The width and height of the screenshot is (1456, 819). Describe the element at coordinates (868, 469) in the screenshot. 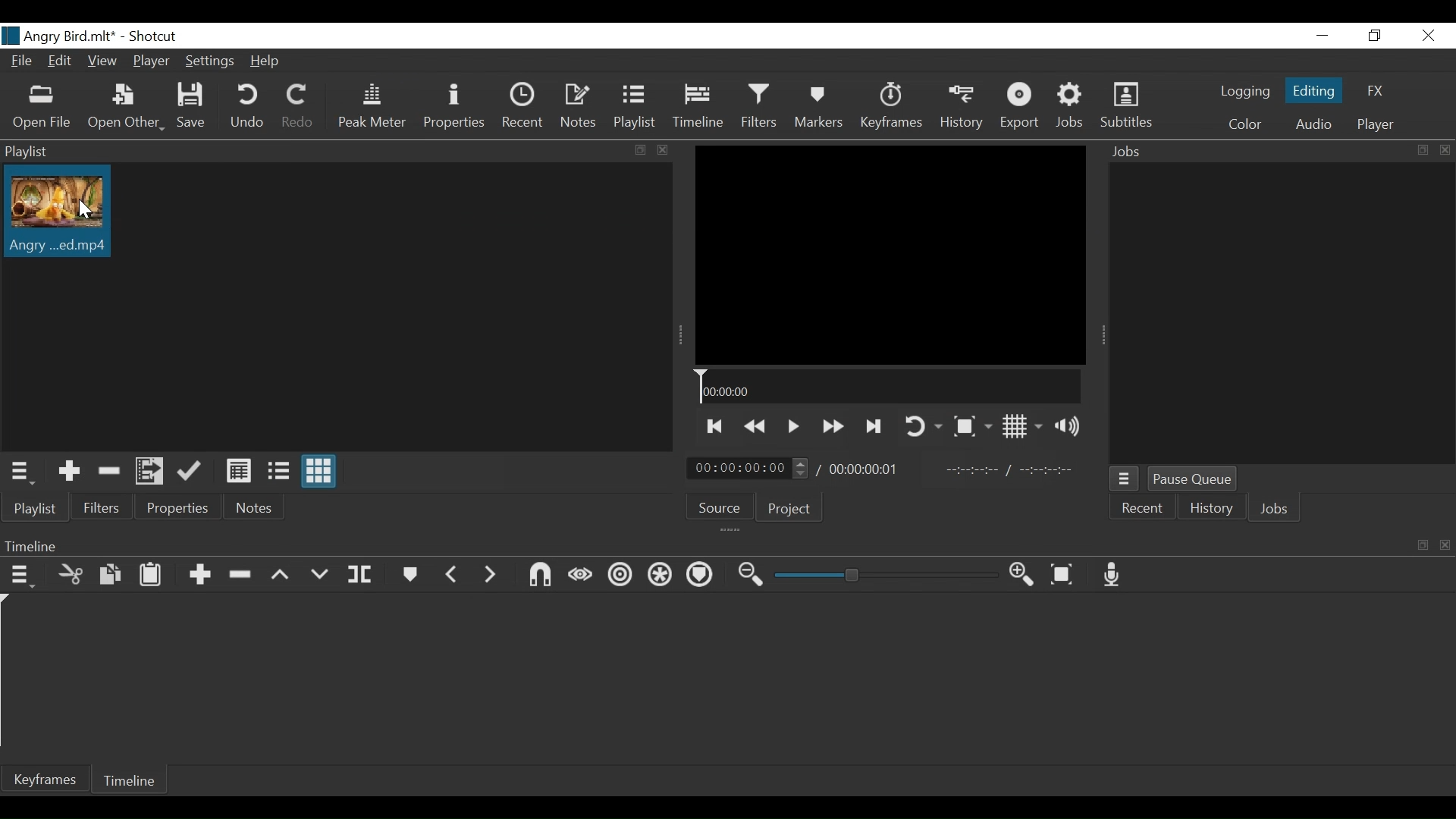

I see `Total duration` at that location.